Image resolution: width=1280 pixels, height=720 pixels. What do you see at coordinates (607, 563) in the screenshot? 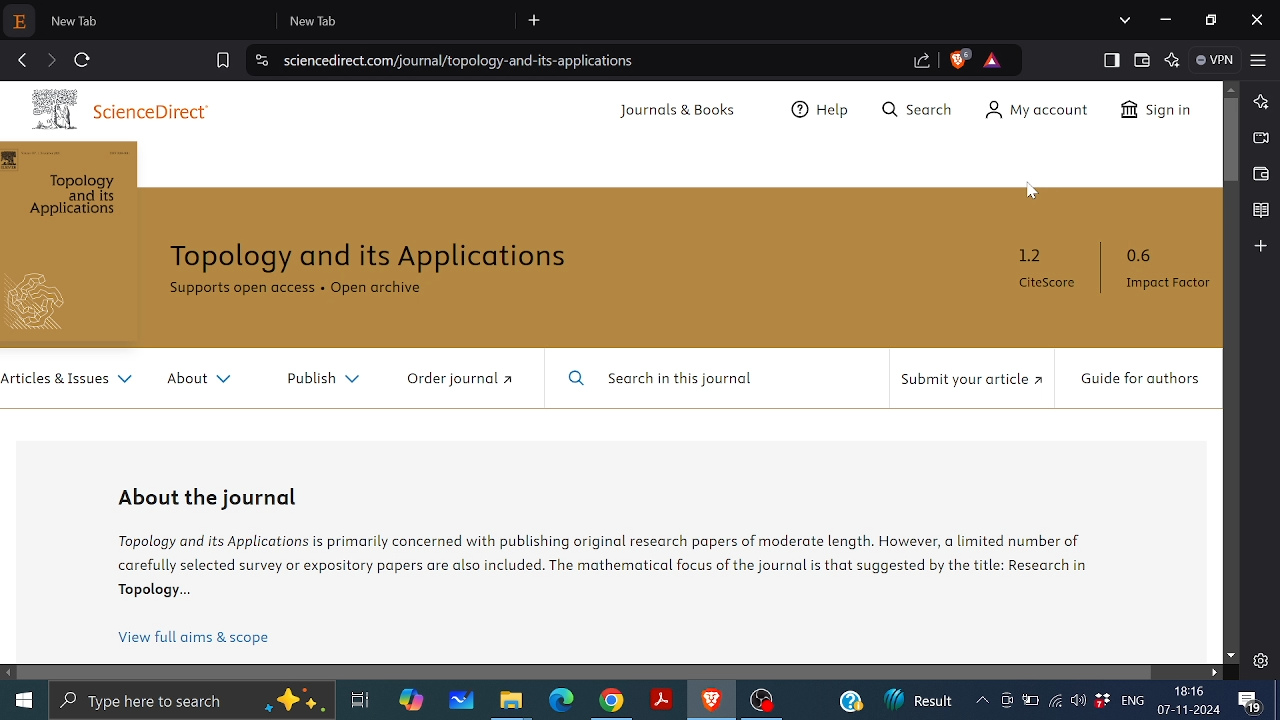
I see `Information on topology` at bounding box center [607, 563].